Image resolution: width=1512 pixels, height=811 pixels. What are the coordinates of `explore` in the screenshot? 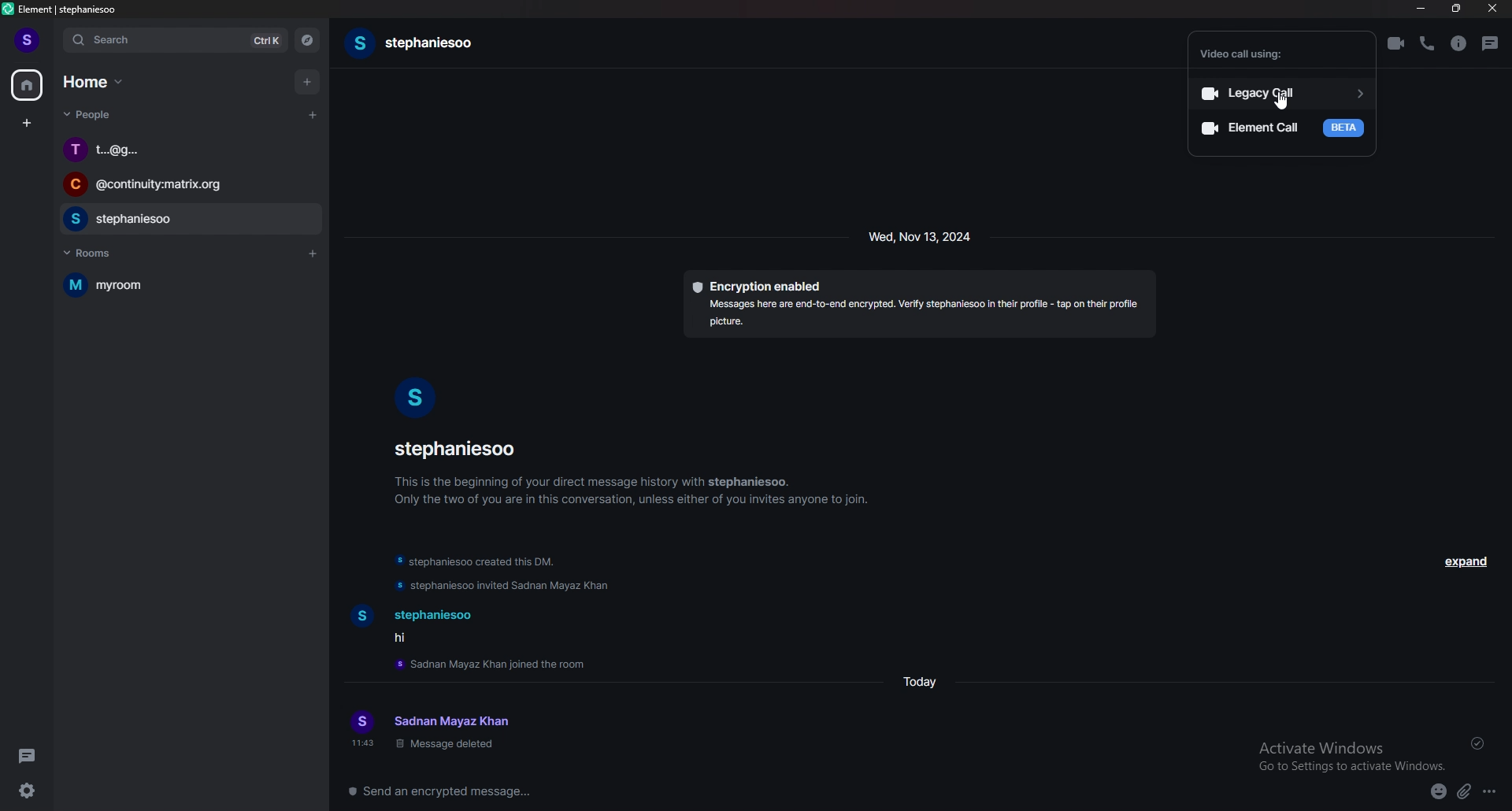 It's located at (307, 40).